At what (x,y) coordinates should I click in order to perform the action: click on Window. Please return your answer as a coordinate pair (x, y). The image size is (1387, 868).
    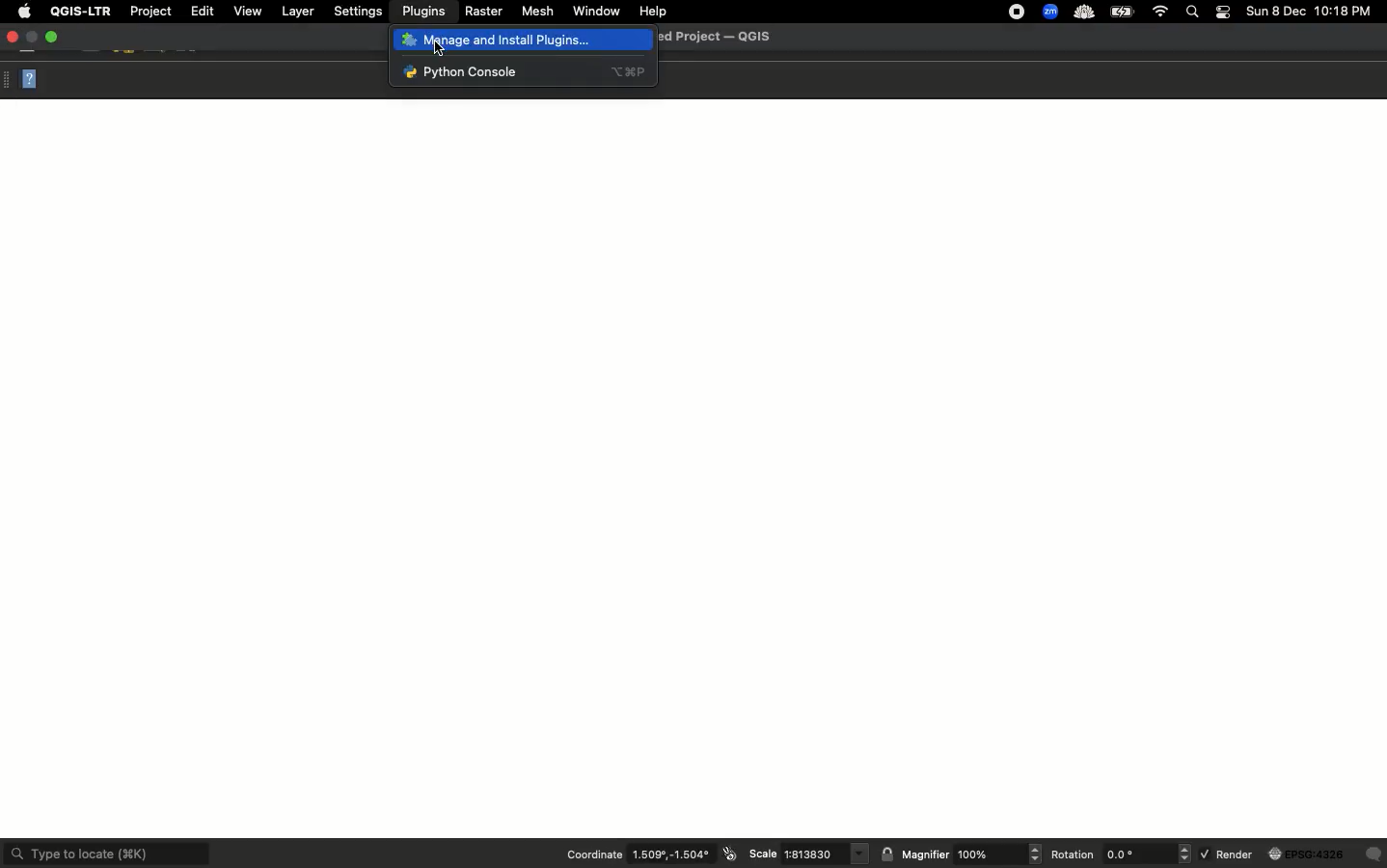
    Looking at the image, I should click on (596, 11).